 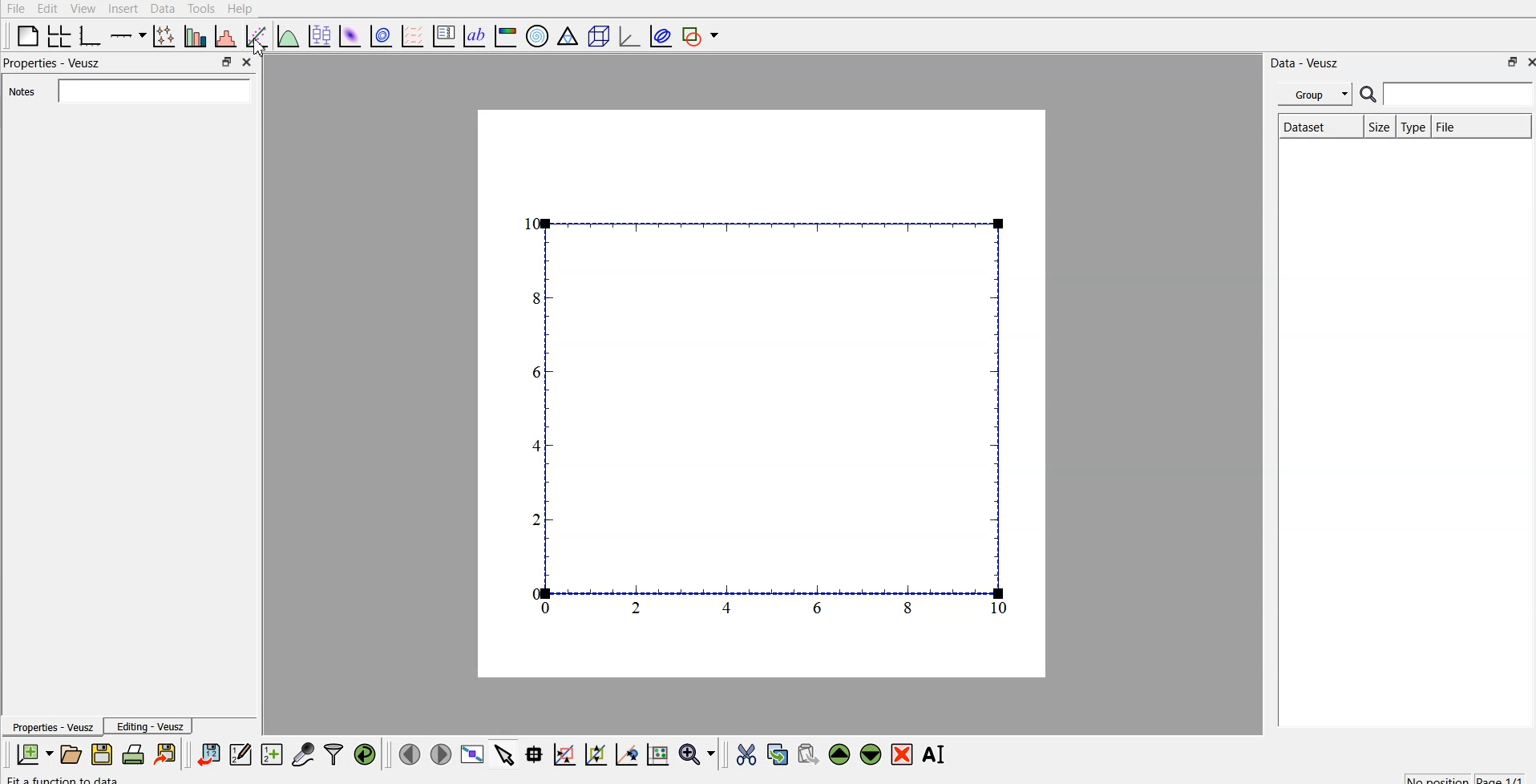 What do you see at coordinates (539, 37) in the screenshot?
I see `polar graph` at bounding box center [539, 37].